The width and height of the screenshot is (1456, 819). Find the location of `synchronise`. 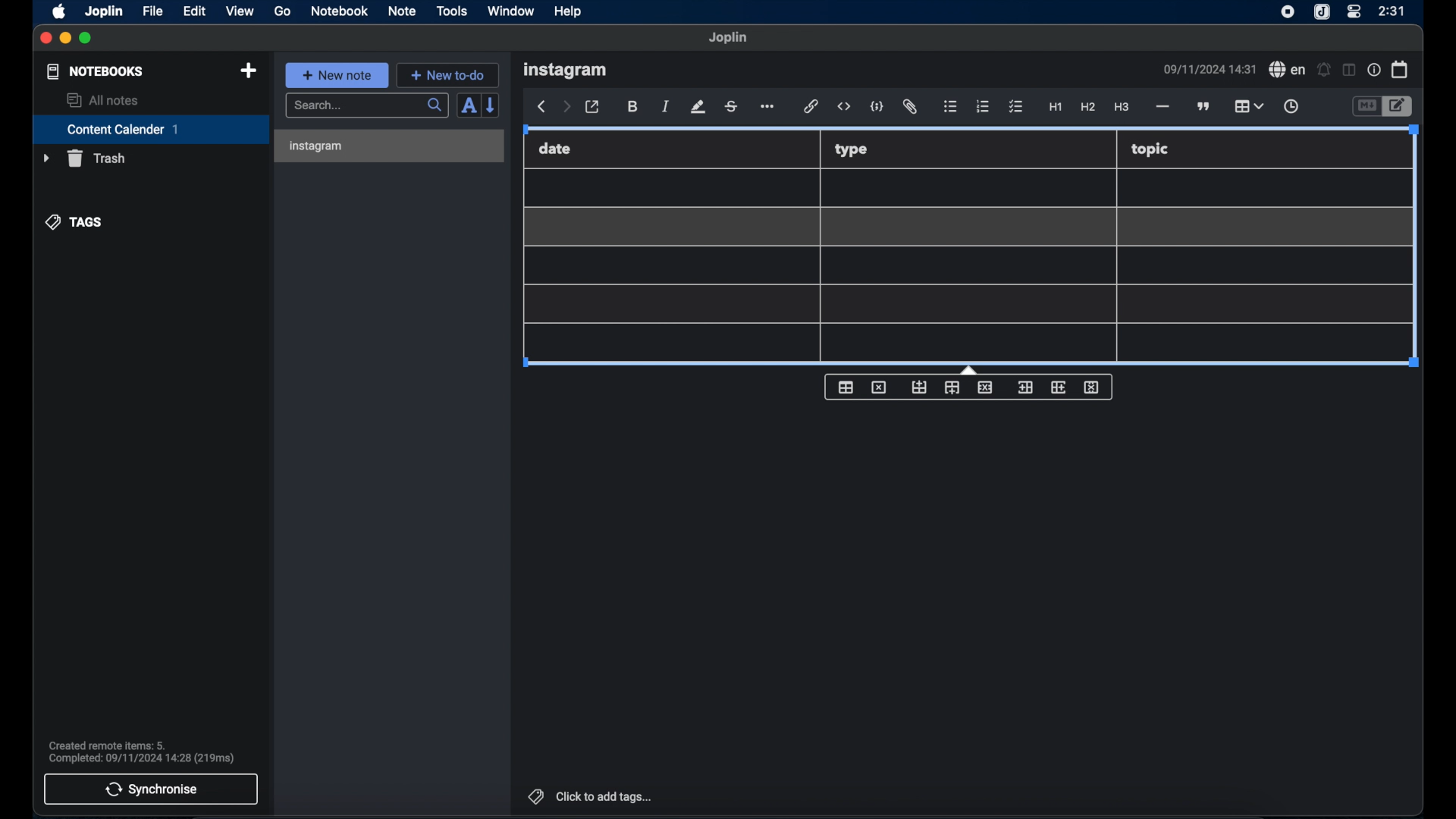

synchronise is located at coordinates (151, 789).